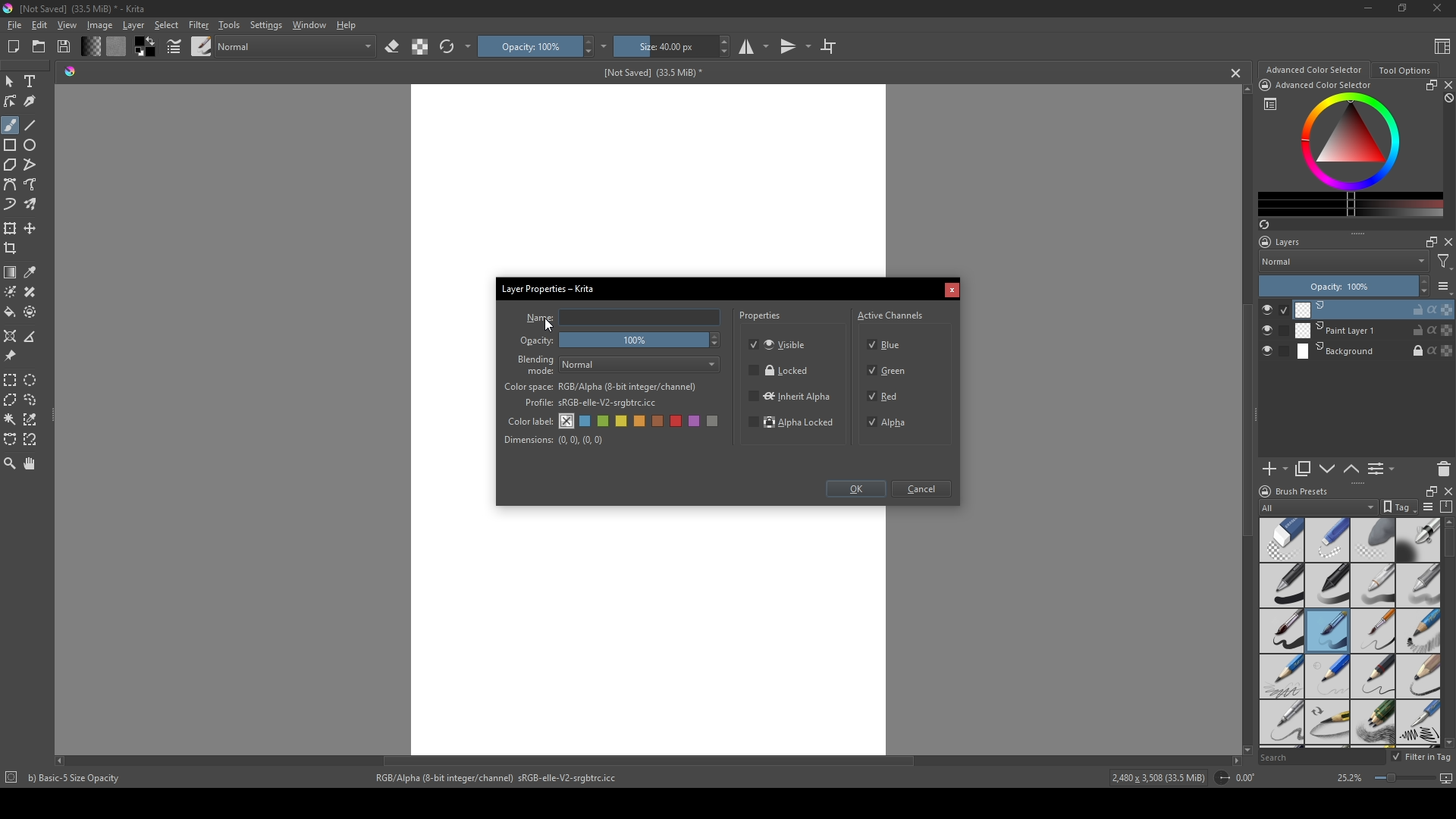  I want to click on New file, so click(11, 48).